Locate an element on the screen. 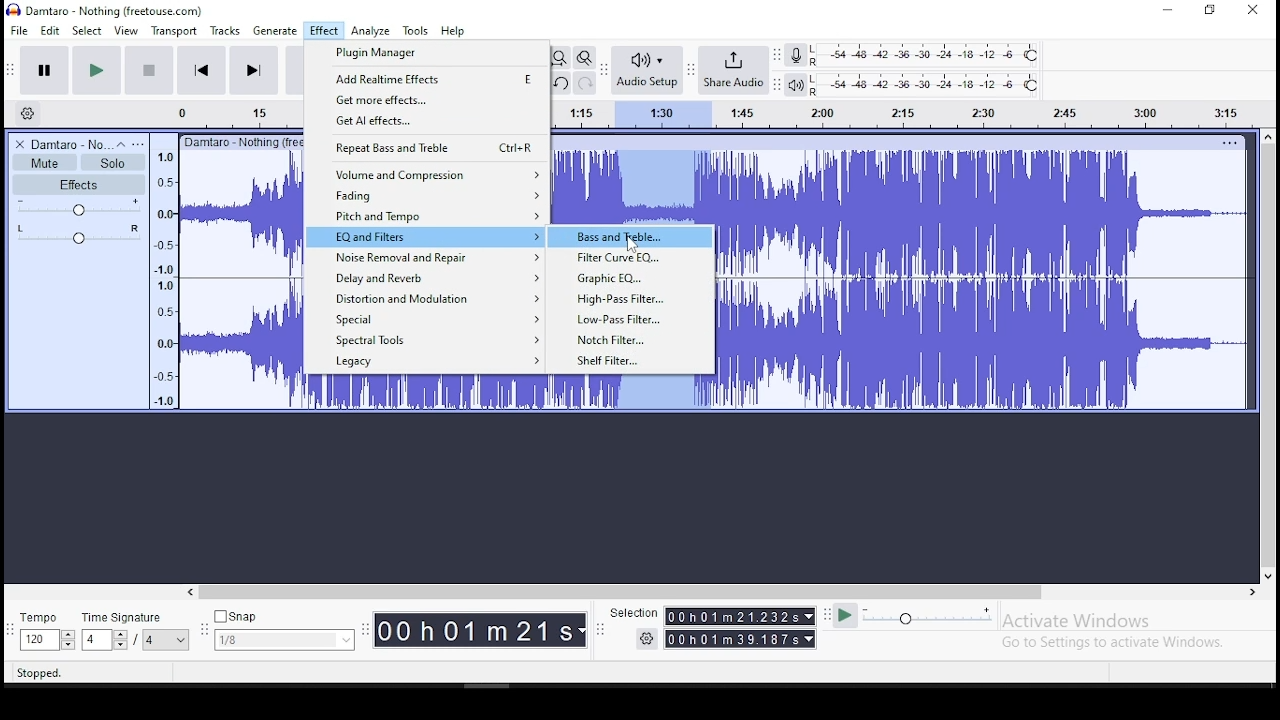 This screenshot has width=1280, height=720. timeline settings is located at coordinates (26, 112).